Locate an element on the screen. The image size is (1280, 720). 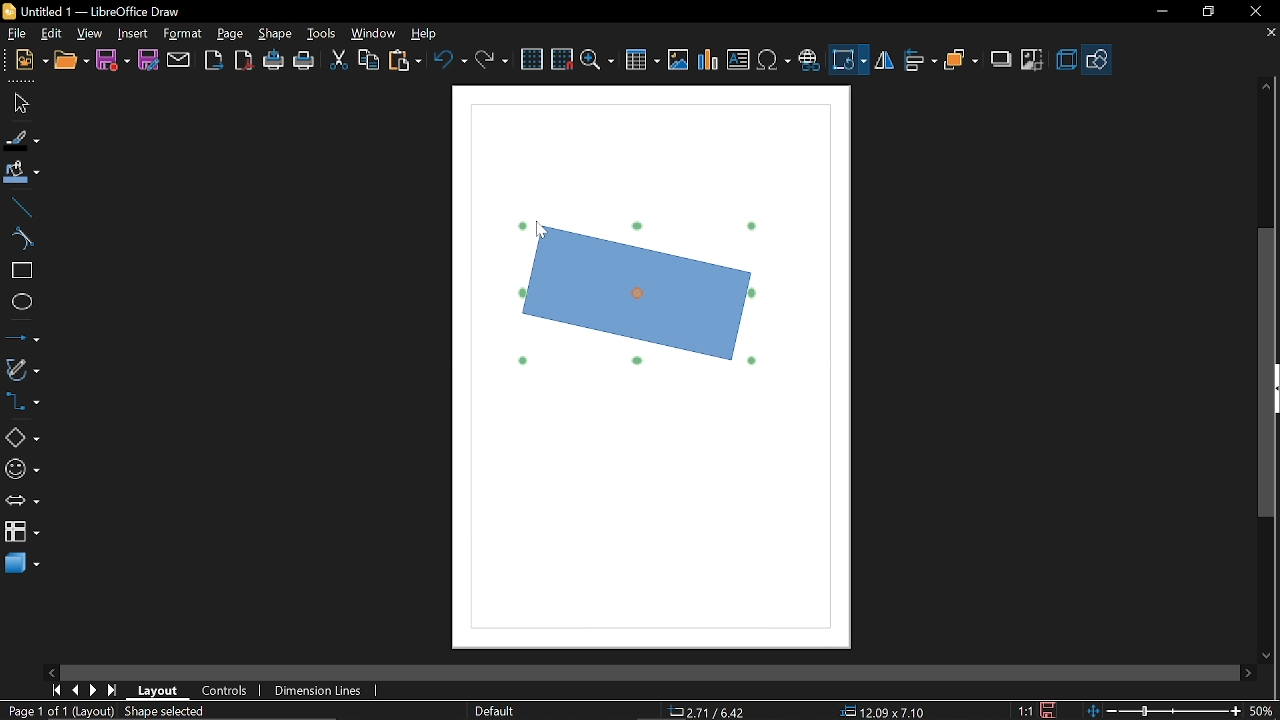
controls is located at coordinates (226, 693).